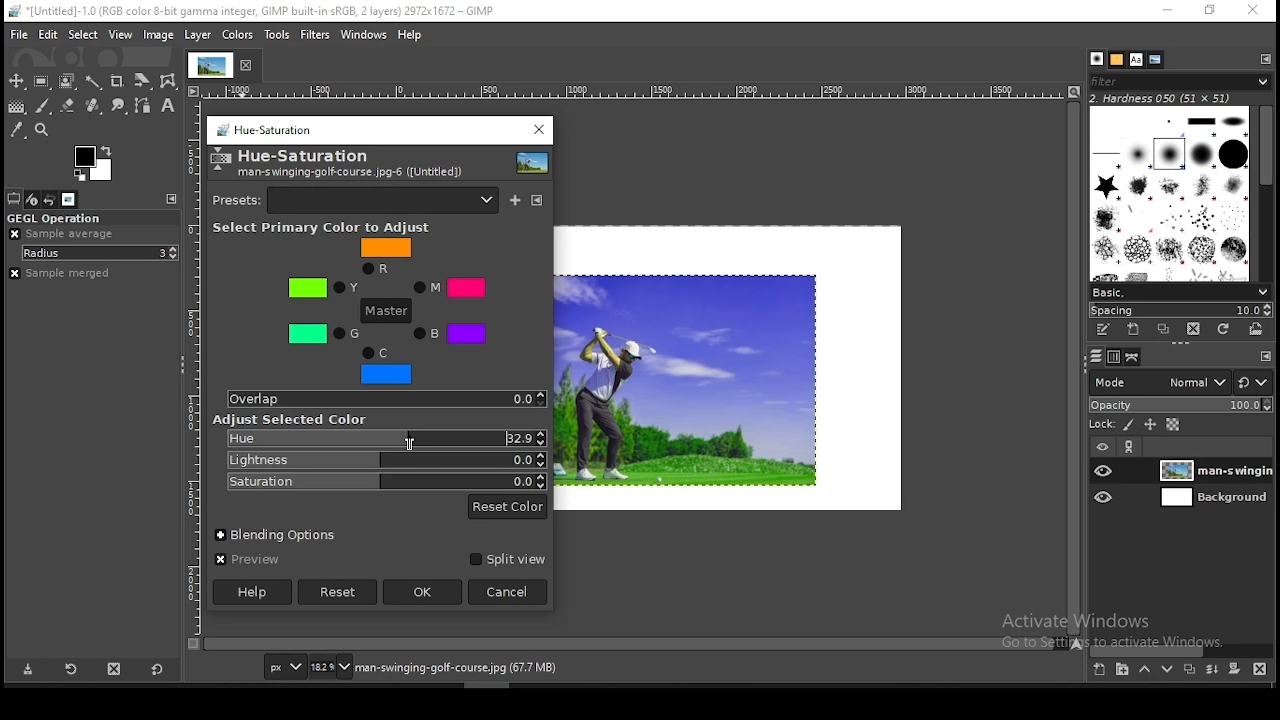 The width and height of the screenshot is (1280, 720). I want to click on ok, so click(423, 593).